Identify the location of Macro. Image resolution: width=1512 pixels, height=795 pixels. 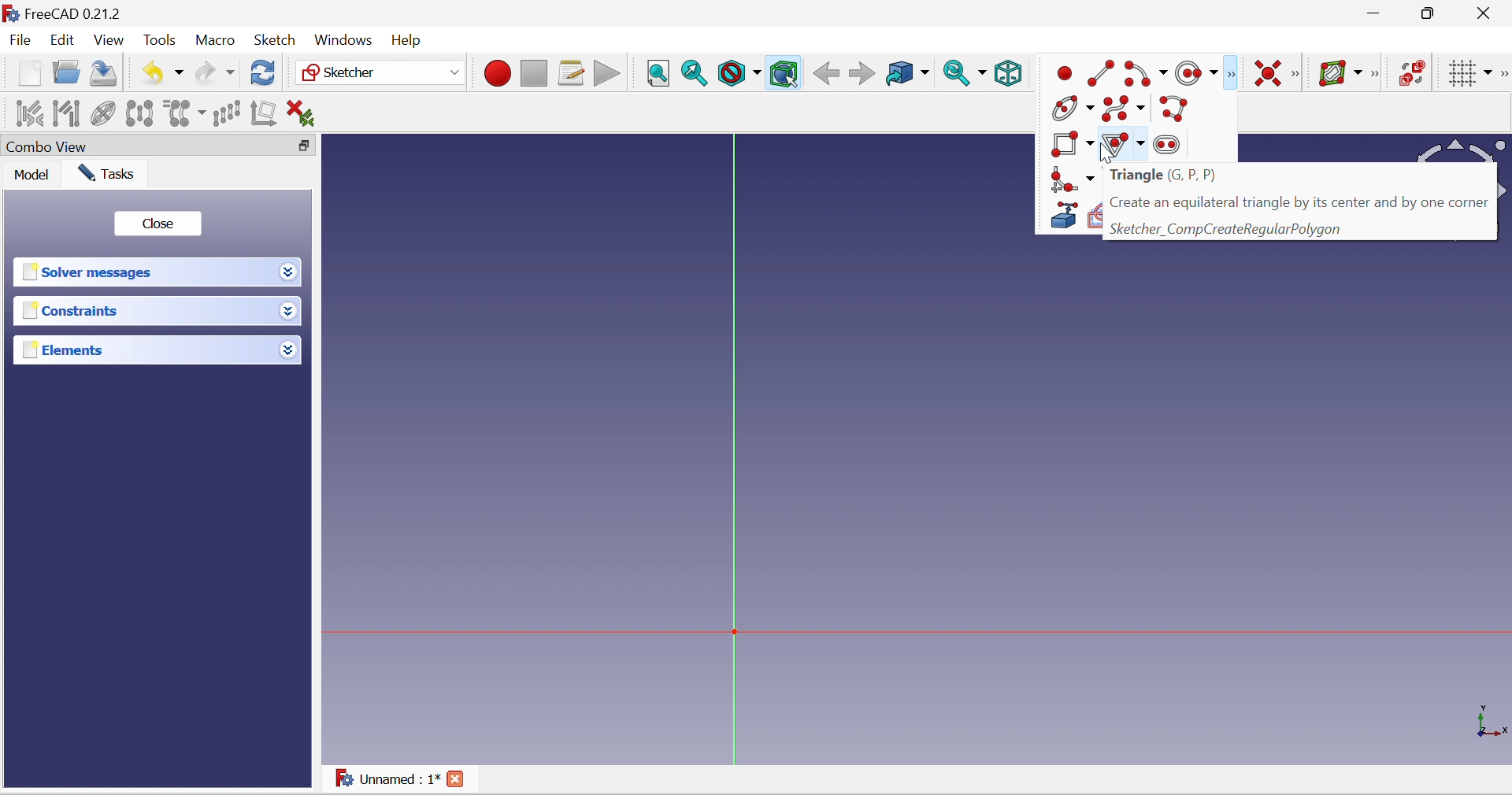
(213, 41).